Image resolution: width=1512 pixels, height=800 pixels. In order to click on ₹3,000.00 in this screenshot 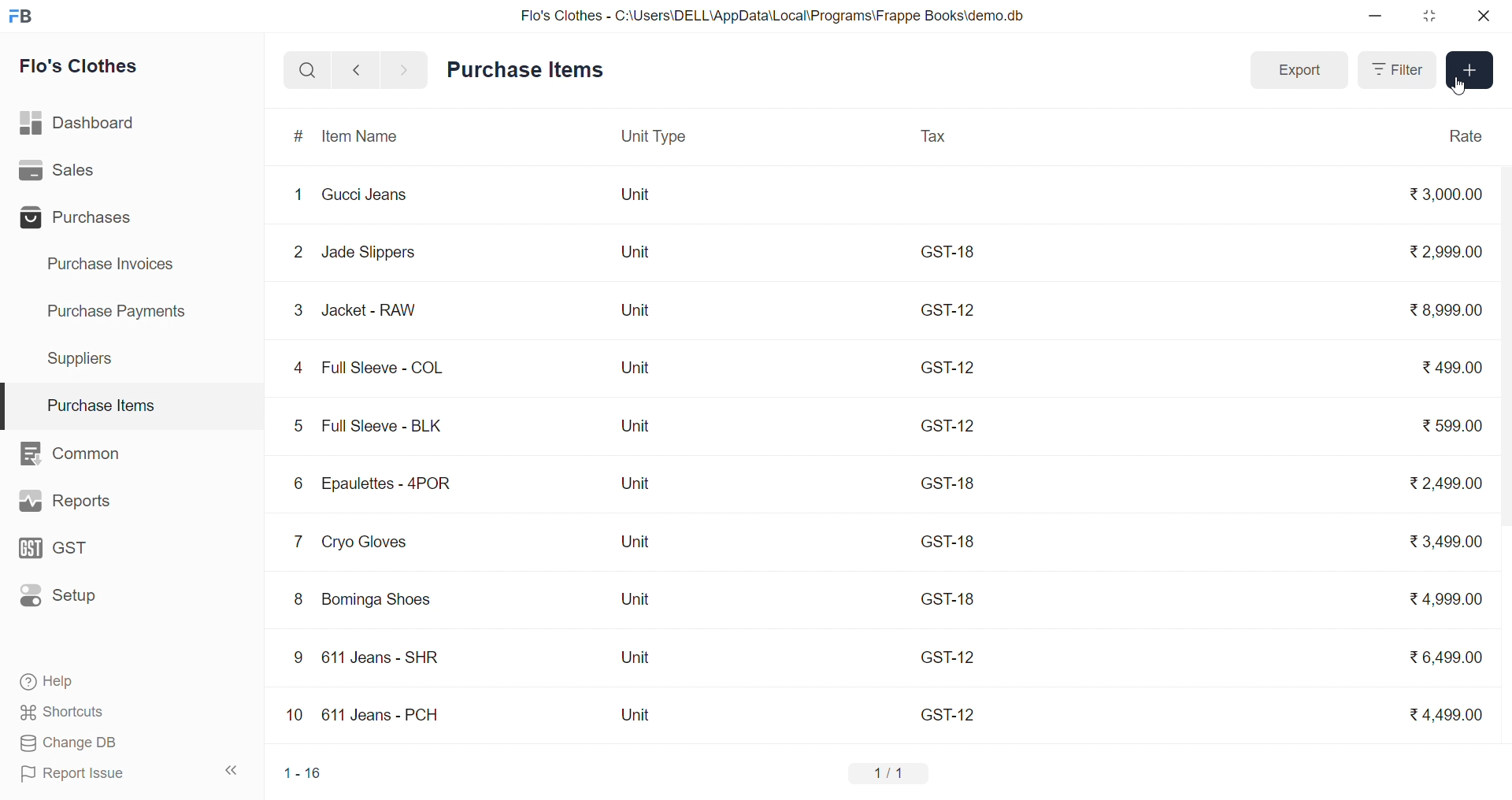, I will do `click(1442, 194)`.